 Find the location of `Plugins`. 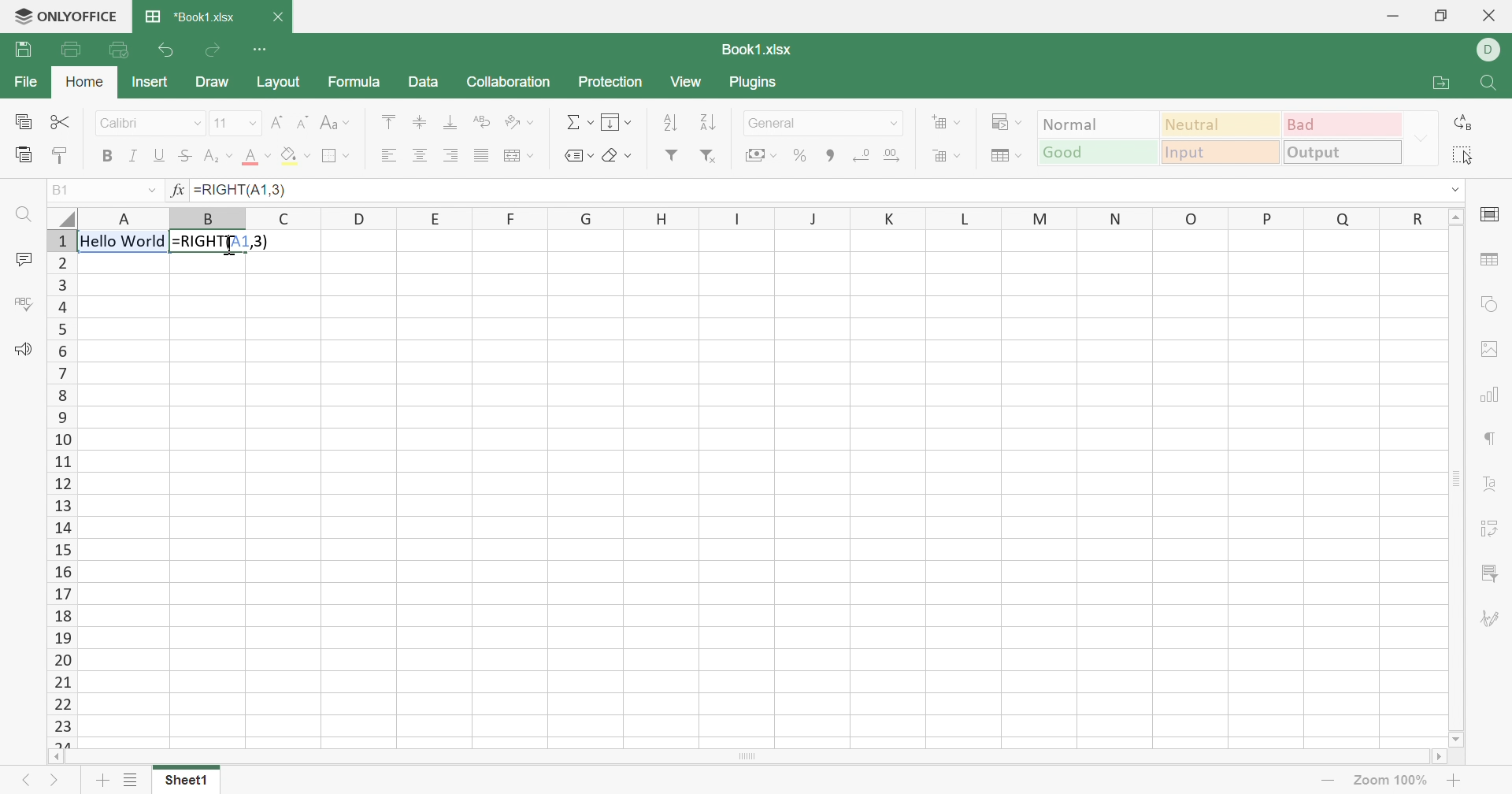

Plugins is located at coordinates (761, 82).